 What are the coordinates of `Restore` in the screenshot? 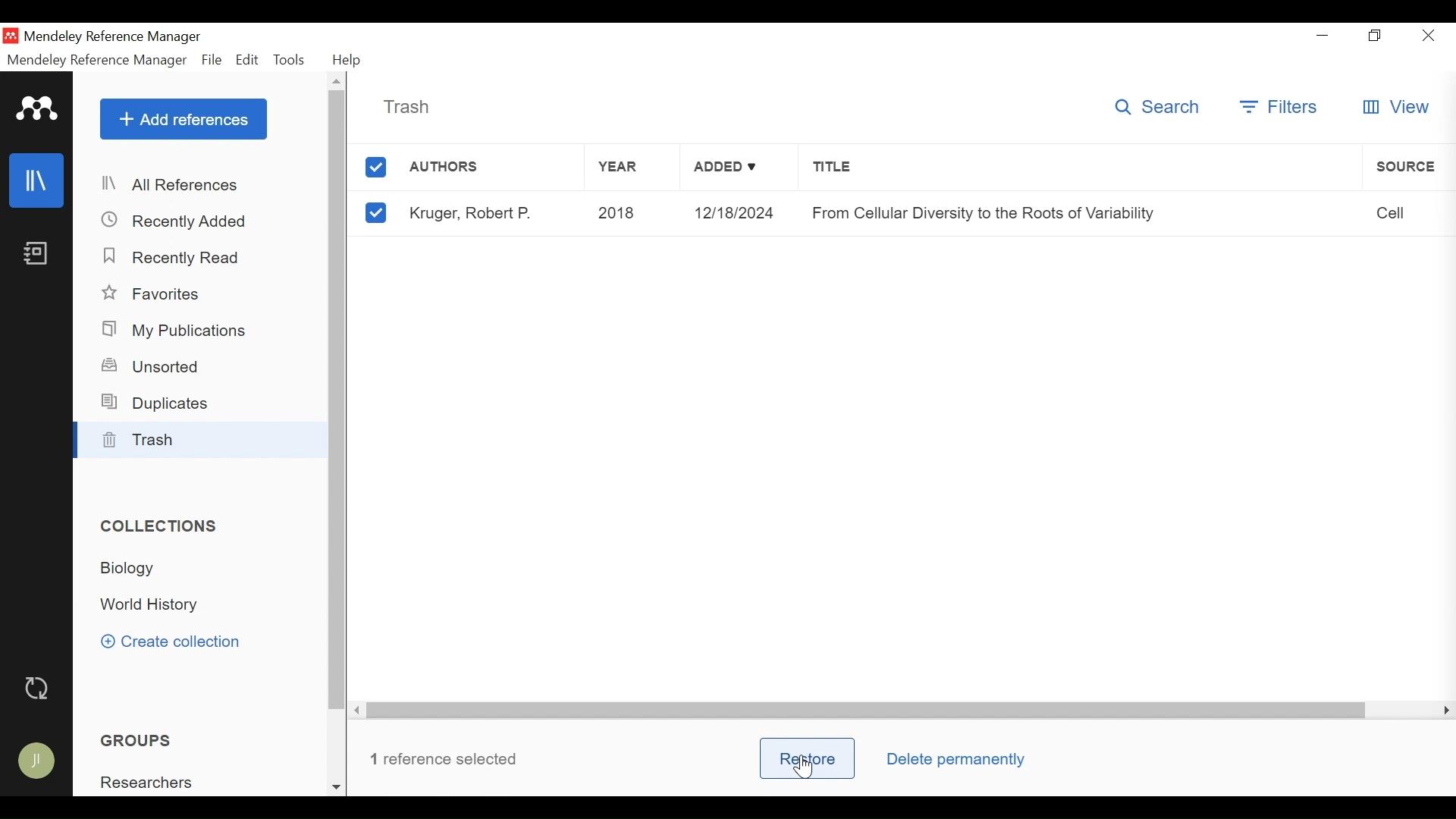 It's located at (806, 756).